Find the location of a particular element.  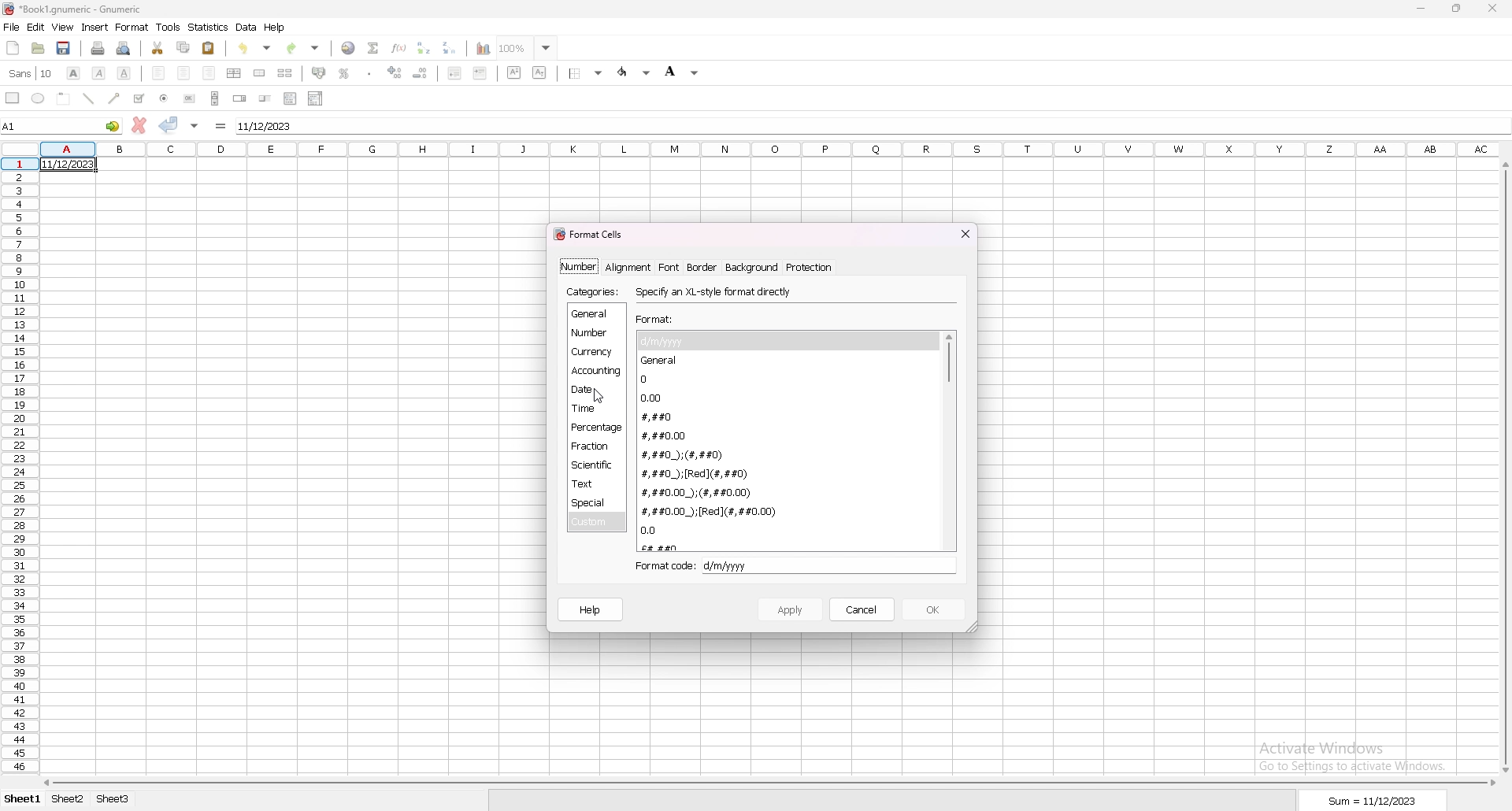

edit is located at coordinates (36, 27).